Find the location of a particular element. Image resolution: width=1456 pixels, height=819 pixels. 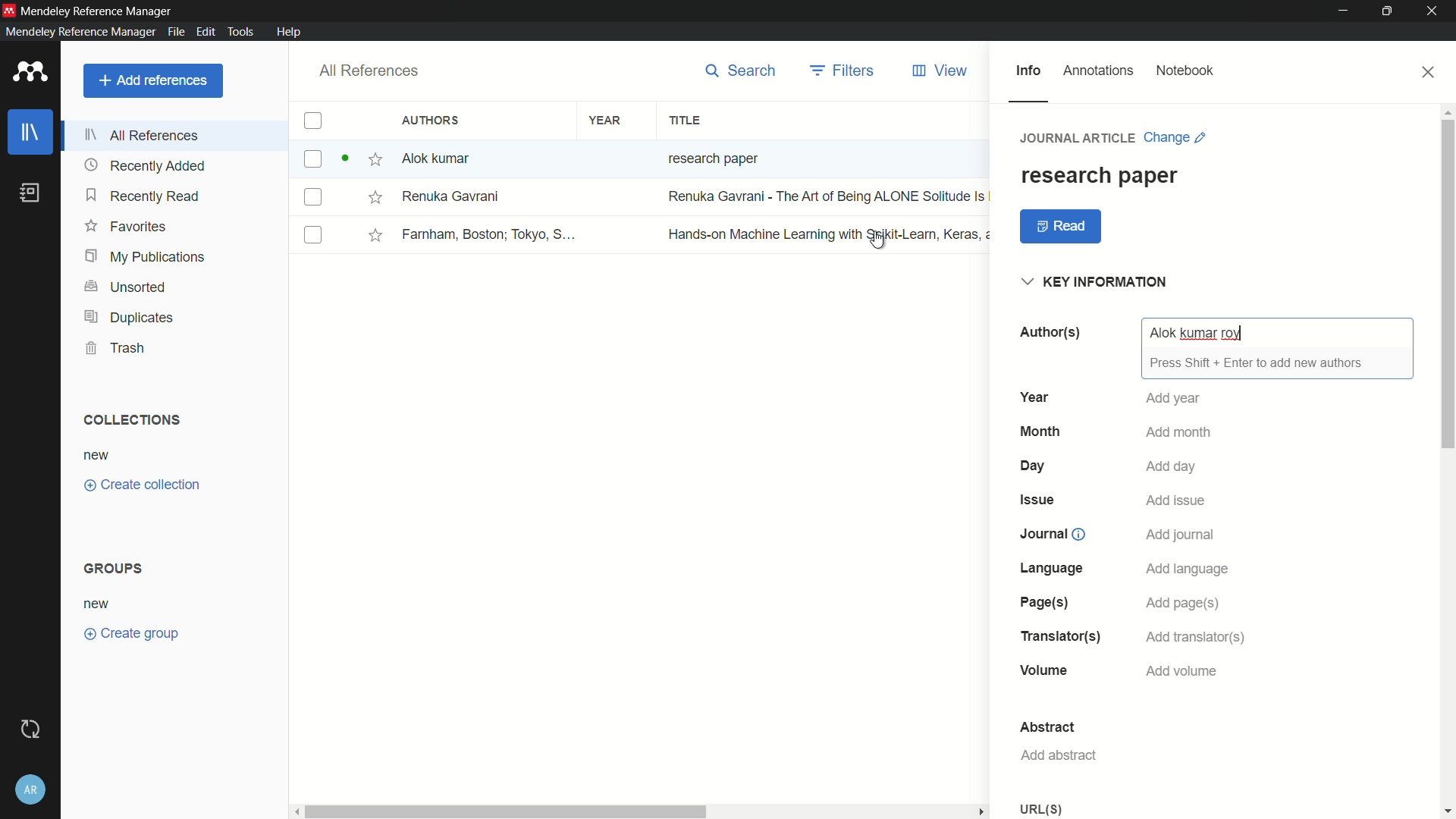

issue is located at coordinates (1036, 500).